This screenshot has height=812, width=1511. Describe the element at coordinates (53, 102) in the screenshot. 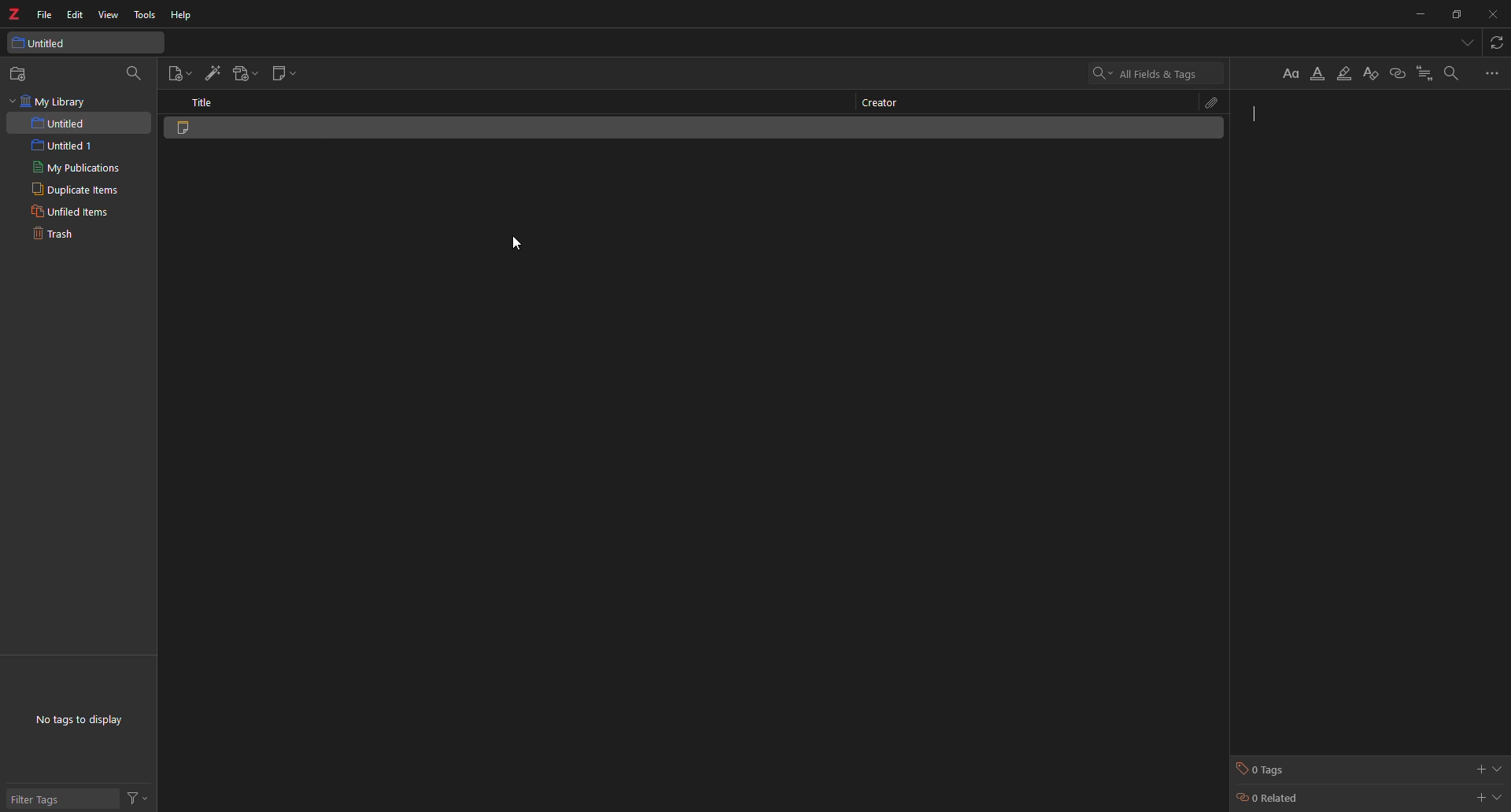

I see `my library` at that location.